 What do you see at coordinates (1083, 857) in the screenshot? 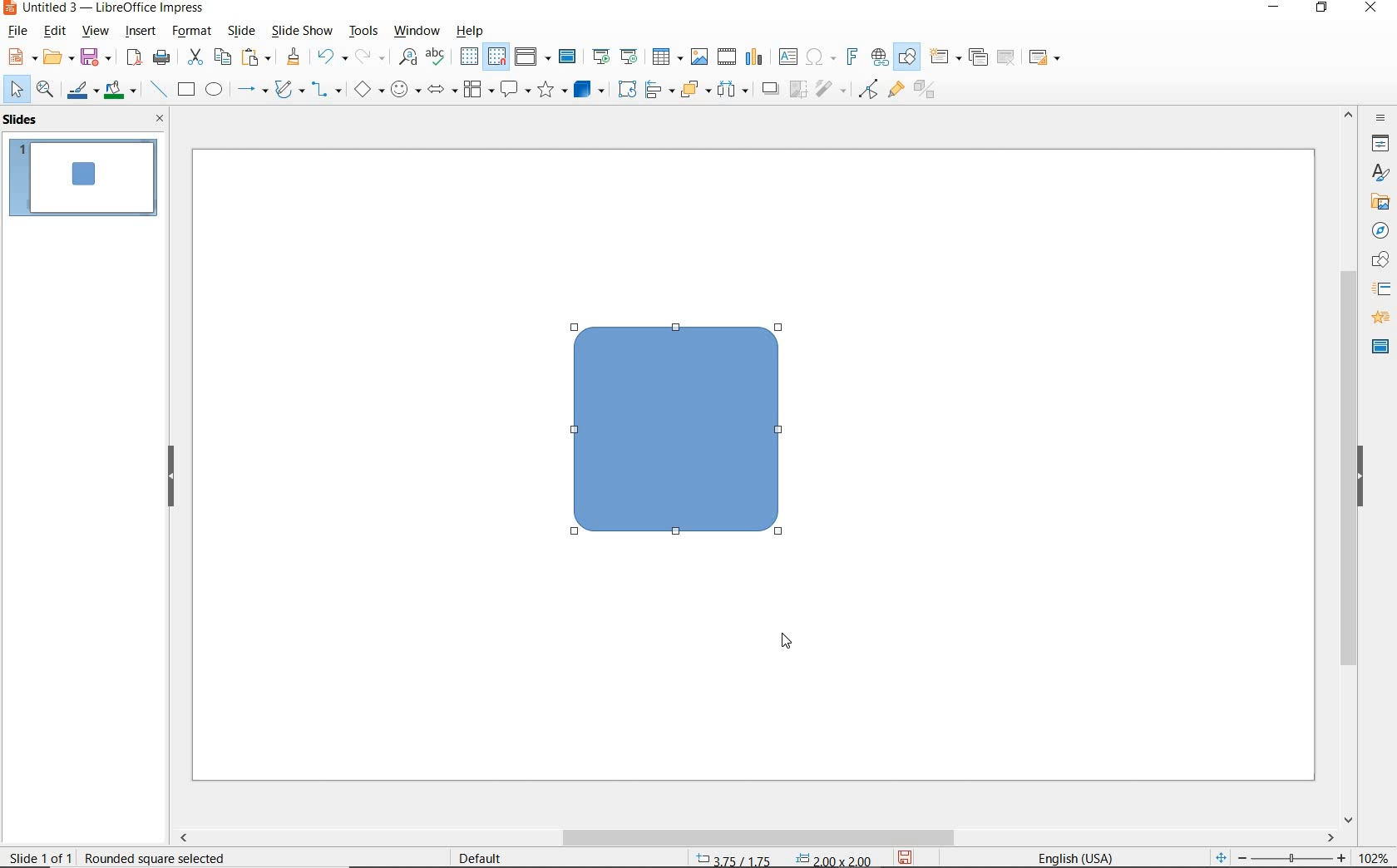
I see `text language` at bounding box center [1083, 857].